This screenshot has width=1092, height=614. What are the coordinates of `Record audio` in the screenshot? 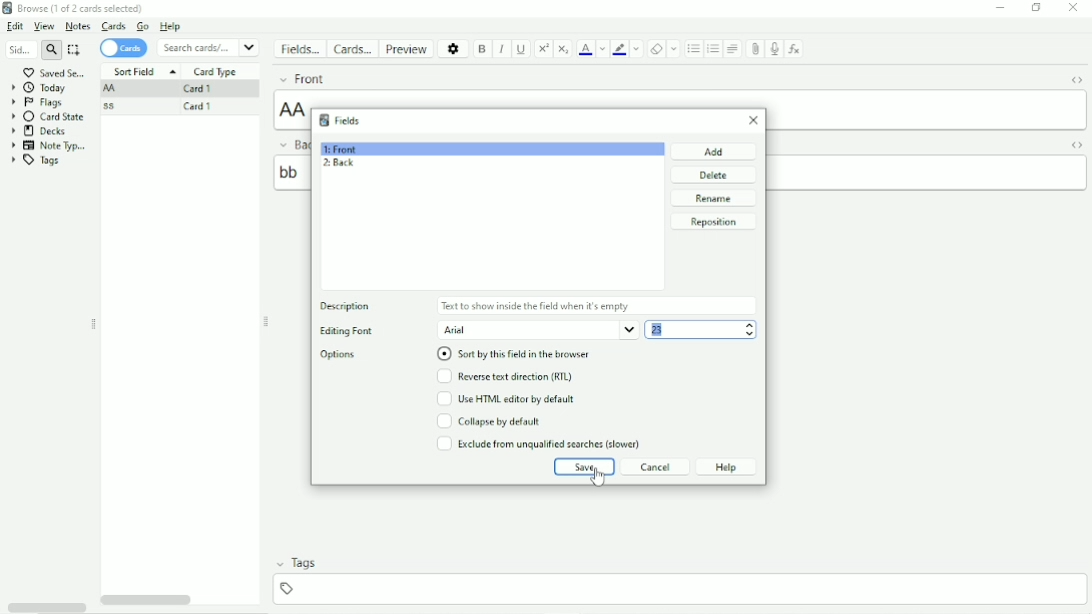 It's located at (774, 50).